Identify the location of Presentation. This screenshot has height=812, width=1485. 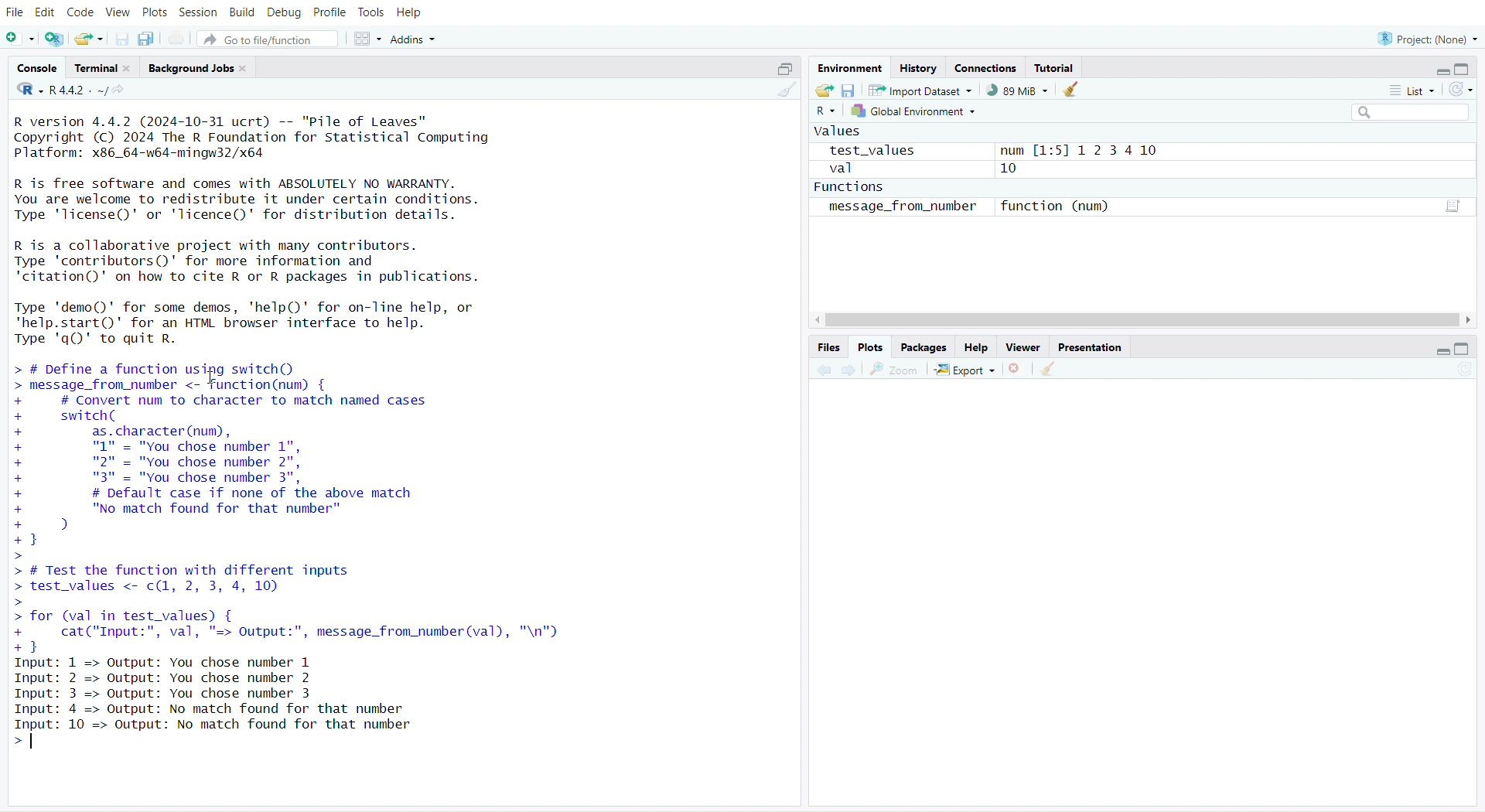
(1090, 347).